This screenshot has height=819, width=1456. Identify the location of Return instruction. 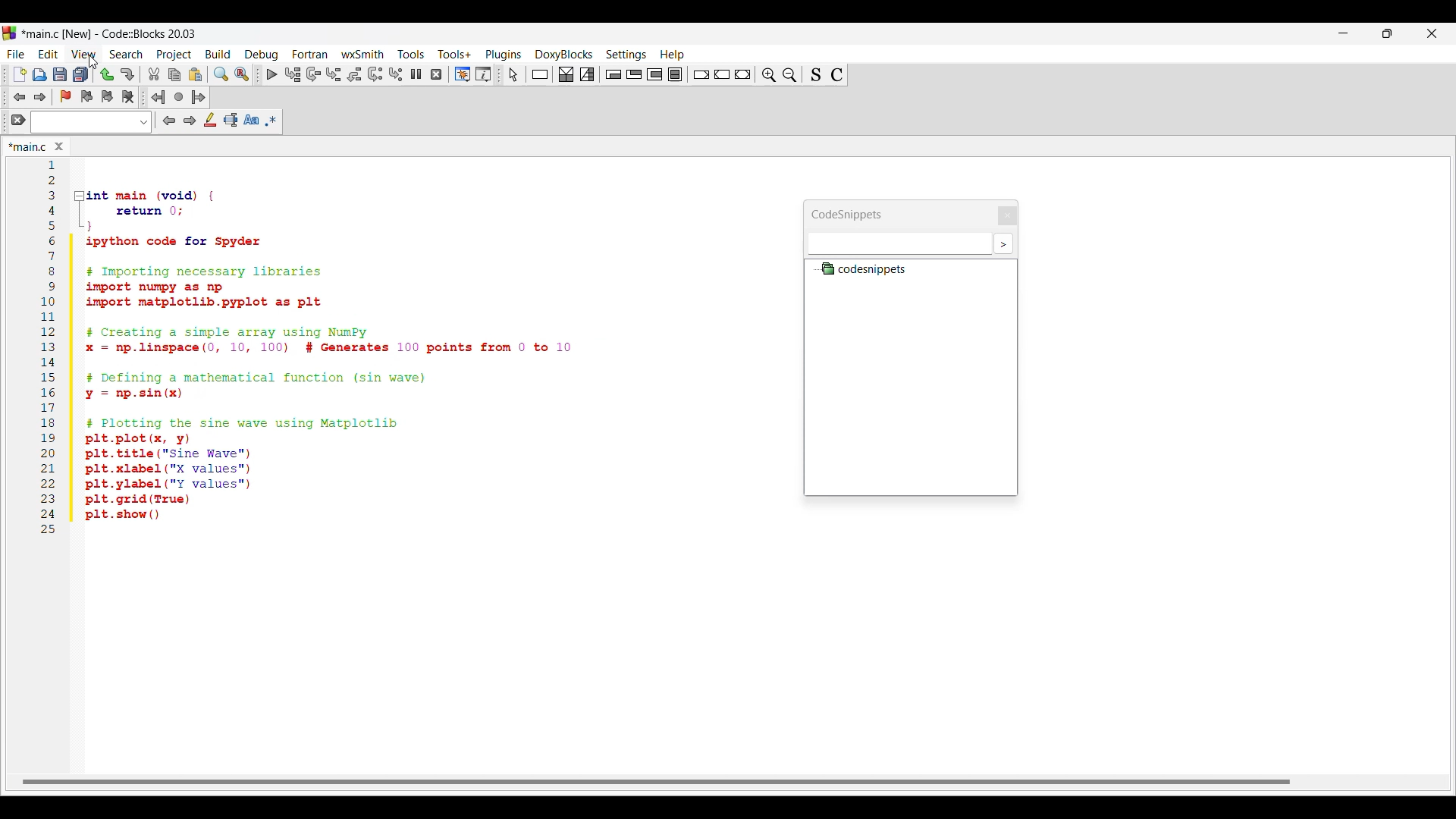
(742, 74).